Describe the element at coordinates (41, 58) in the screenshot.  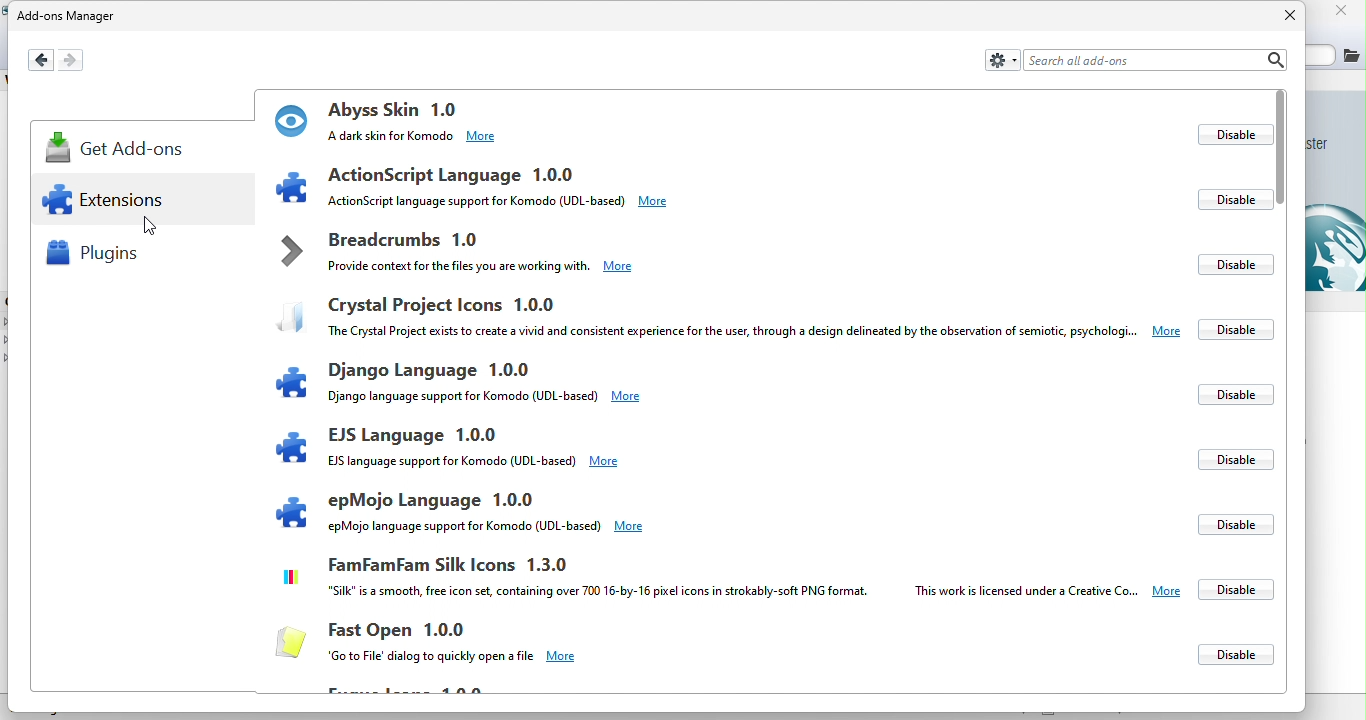
I see `back` at that location.